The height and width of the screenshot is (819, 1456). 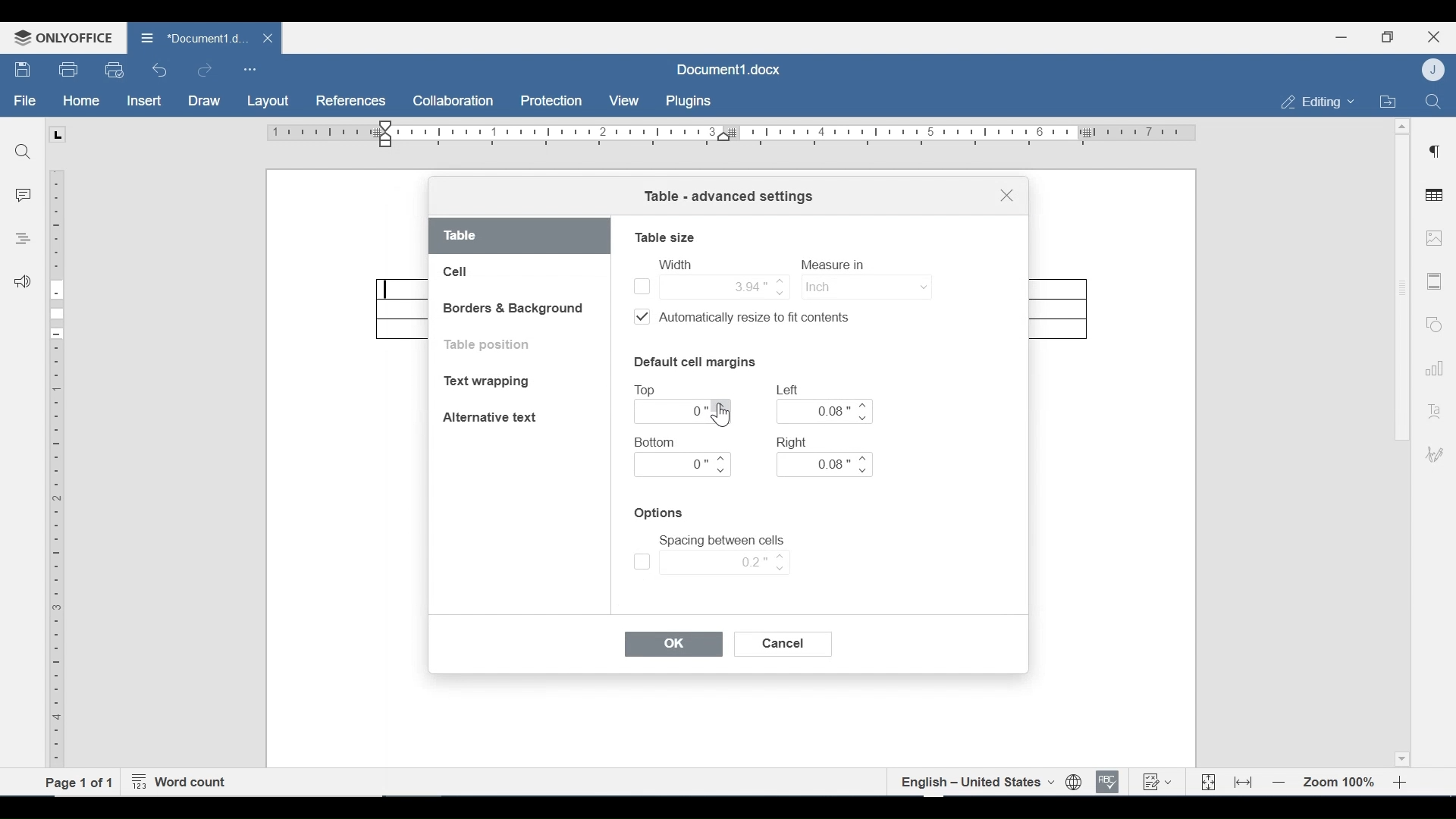 I want to click on Comment, so click(x=24, y=197).